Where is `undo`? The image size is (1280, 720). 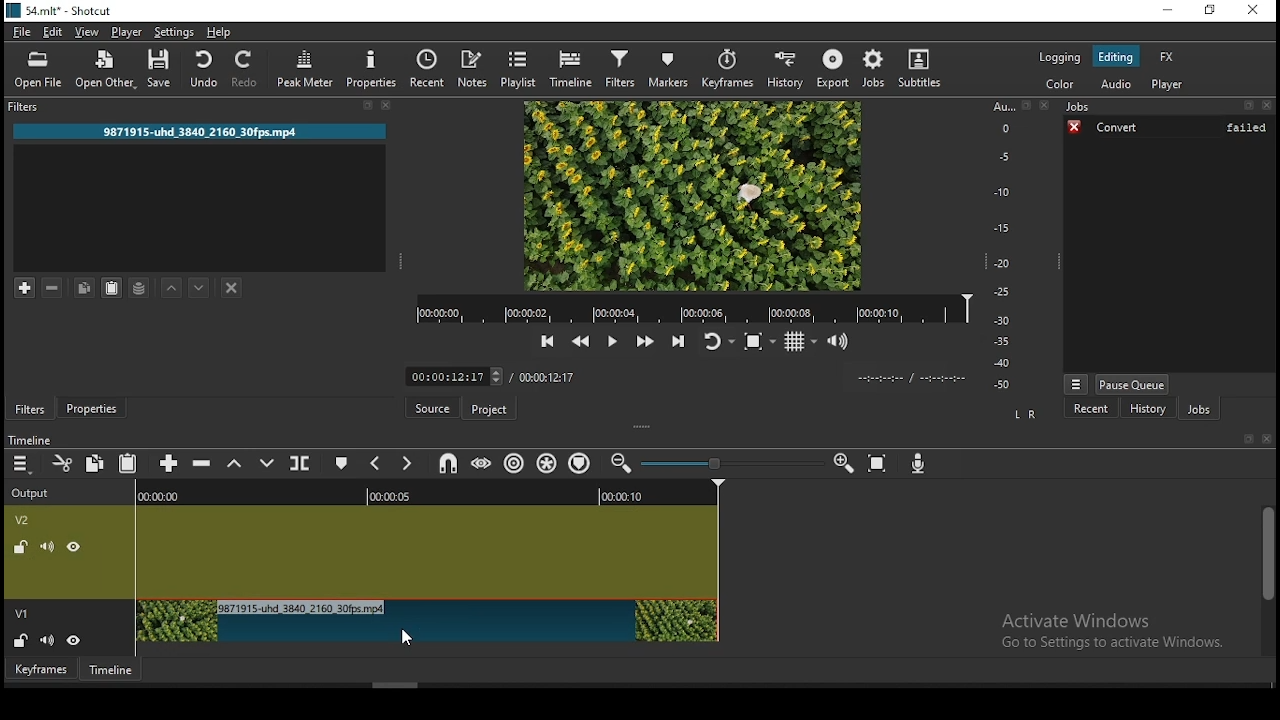
undo is located at coordinates (205, 70).